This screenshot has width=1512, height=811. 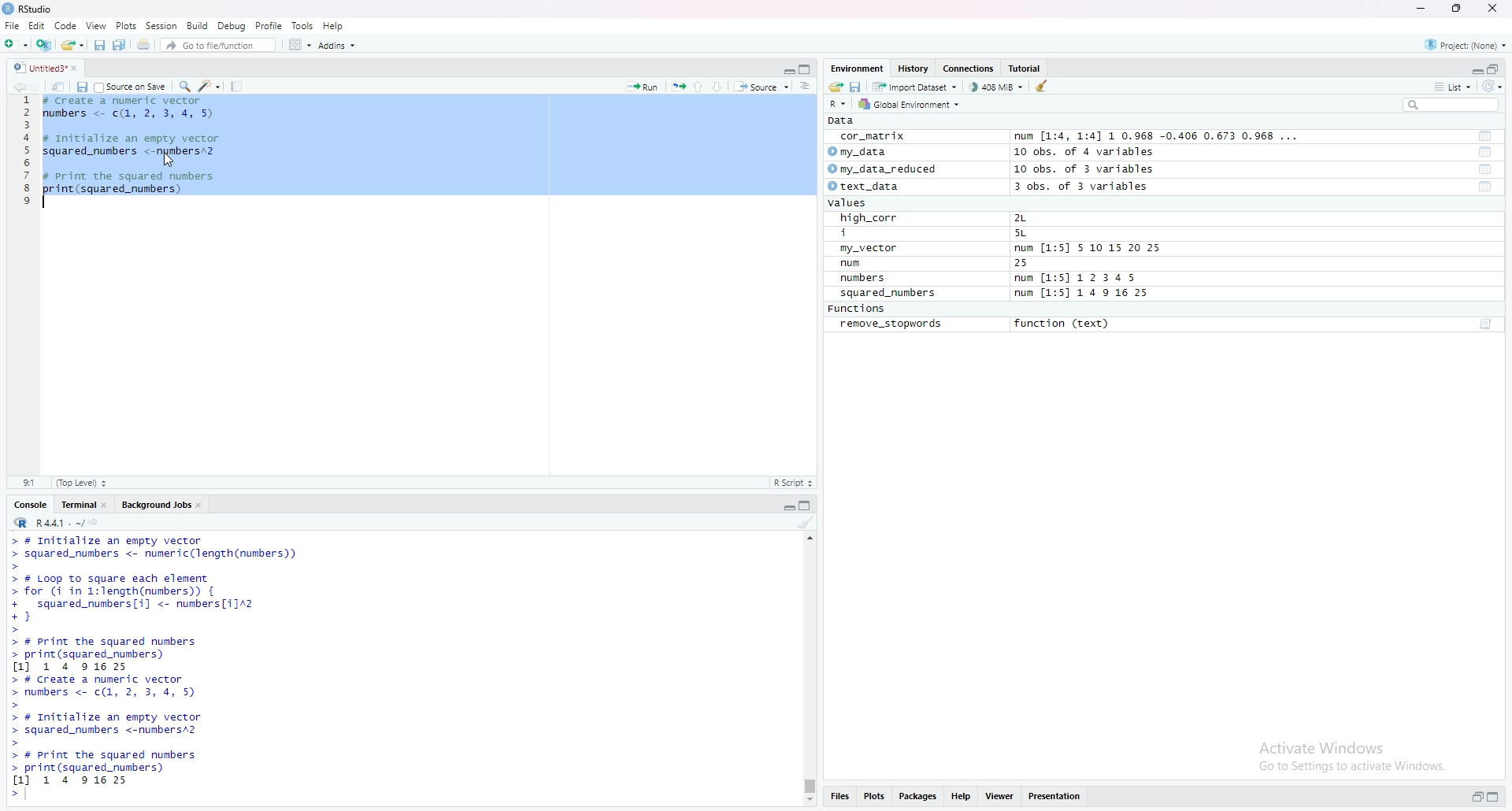 I want to click on RStudio, so click(x=30, y=9).